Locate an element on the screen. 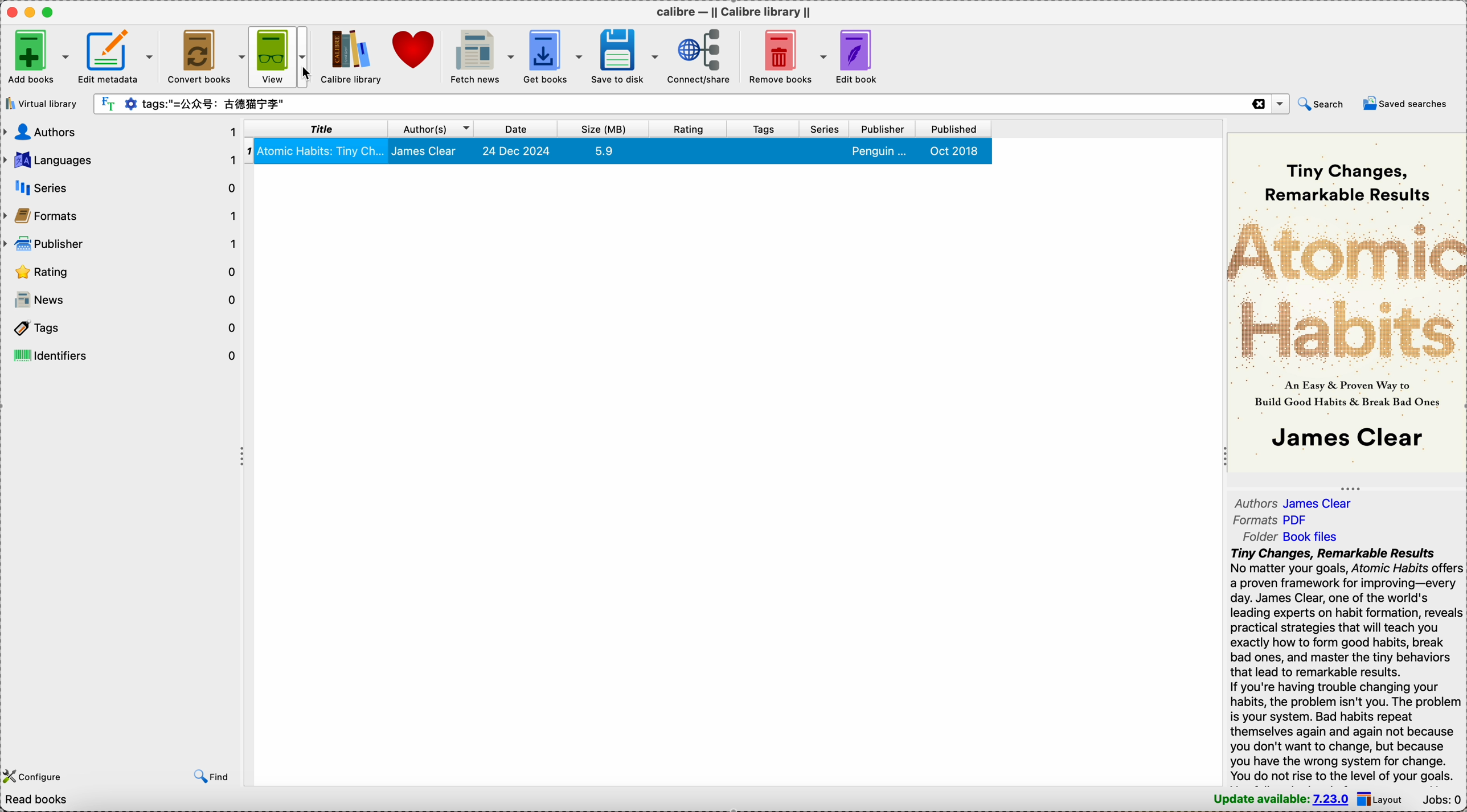  get books is located at coordinates (553, 54).